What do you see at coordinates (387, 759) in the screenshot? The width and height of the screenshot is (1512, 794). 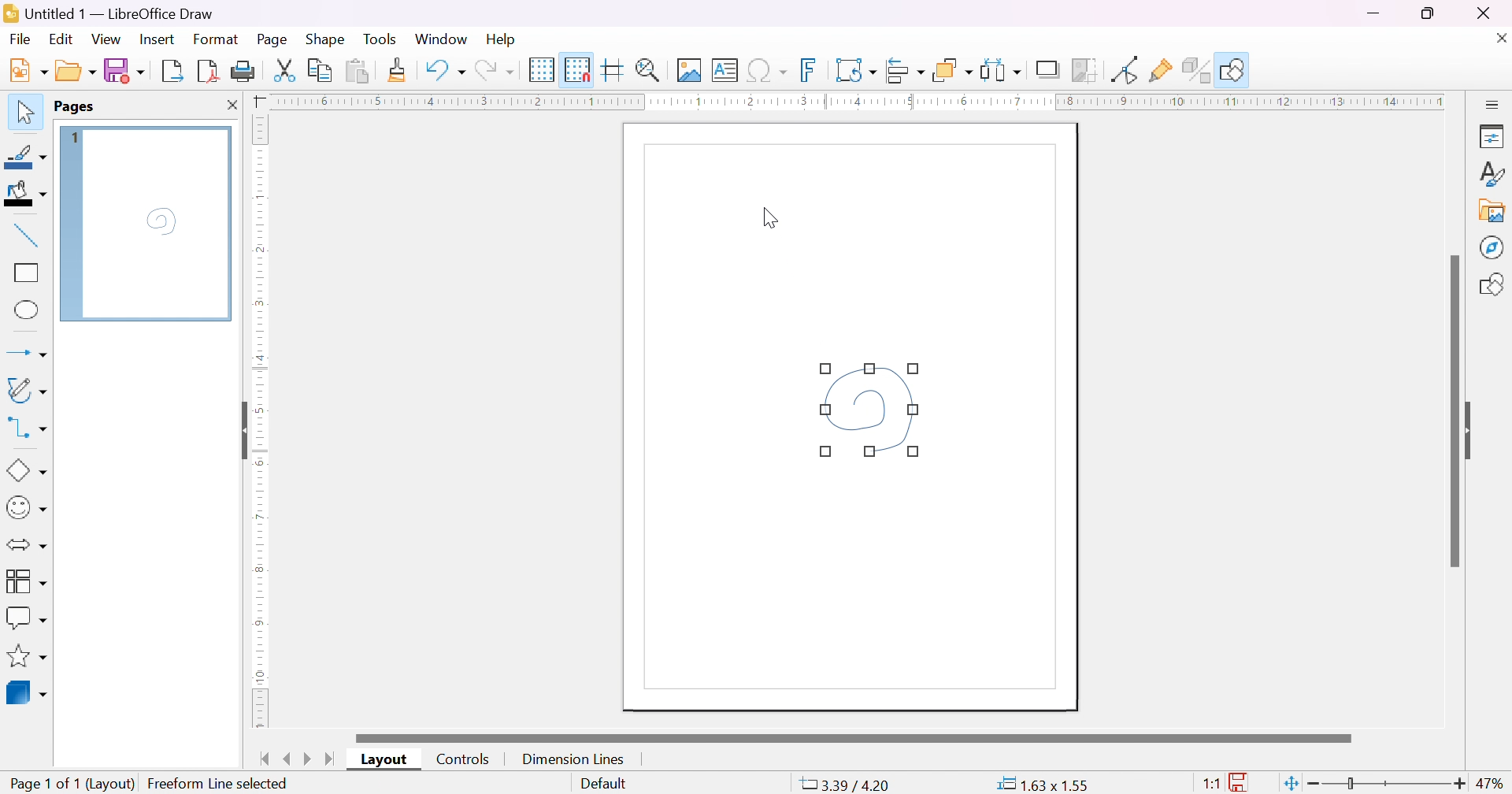 I see `layout` at bounding box center [387, 759].